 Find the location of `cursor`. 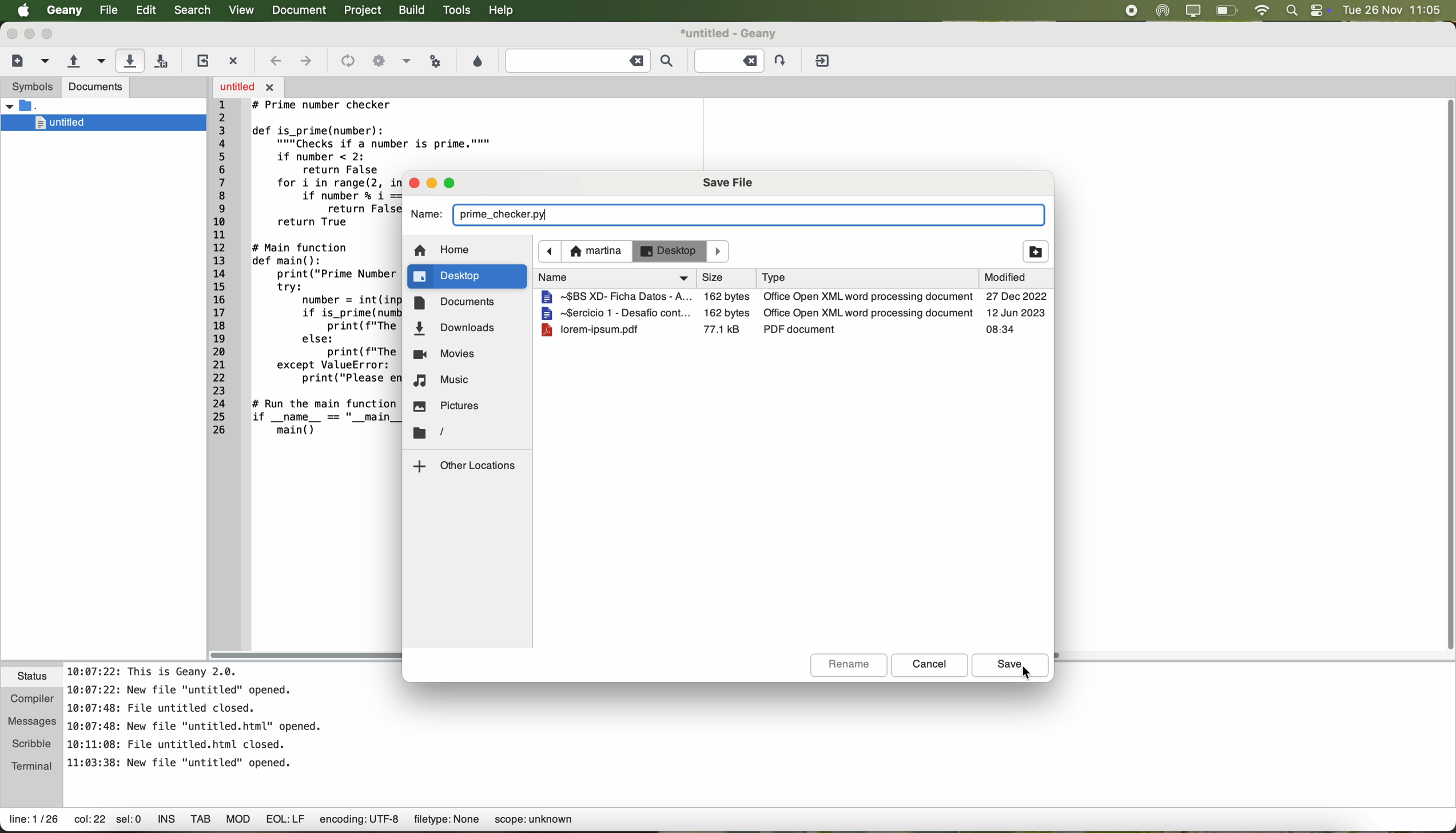

cursor is located at coordinates (1028, 673).